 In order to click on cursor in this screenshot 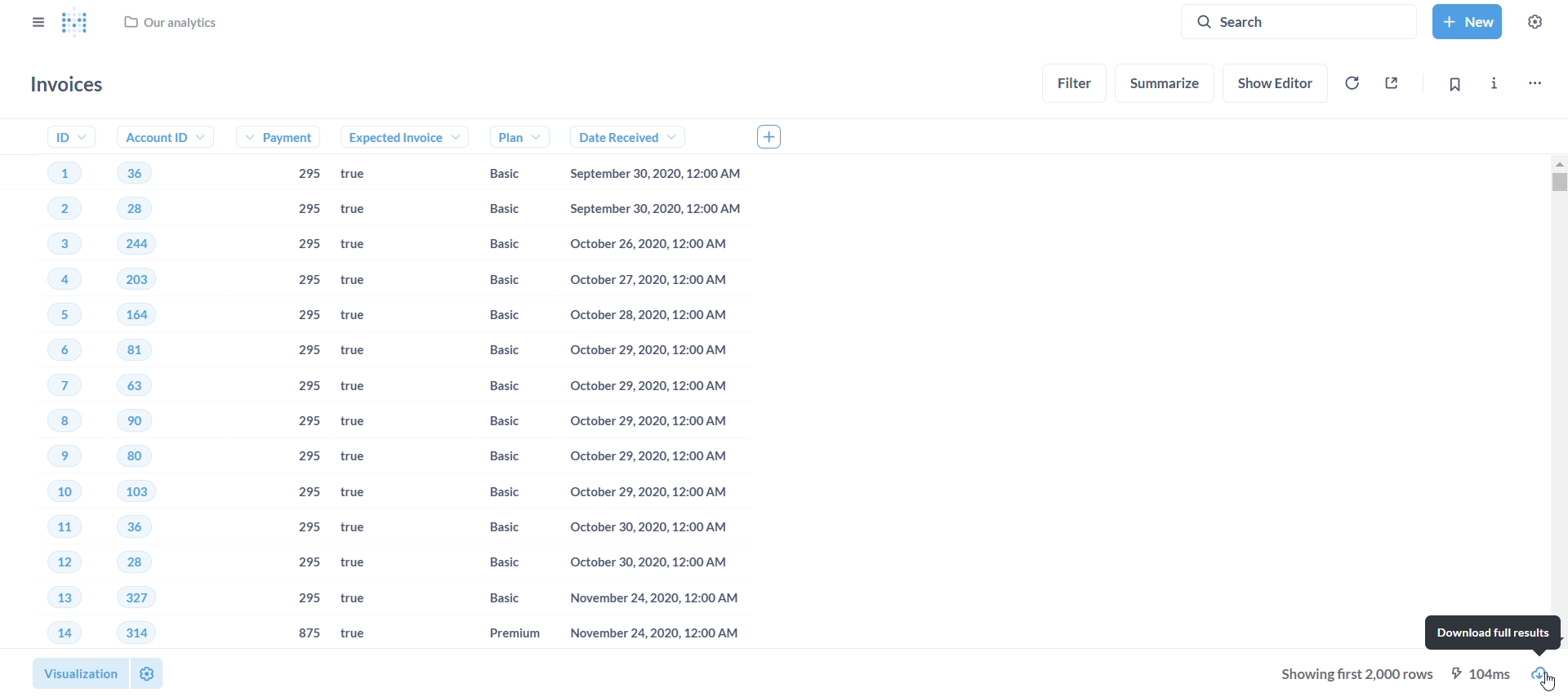, I will do `click(1548, 685)`.